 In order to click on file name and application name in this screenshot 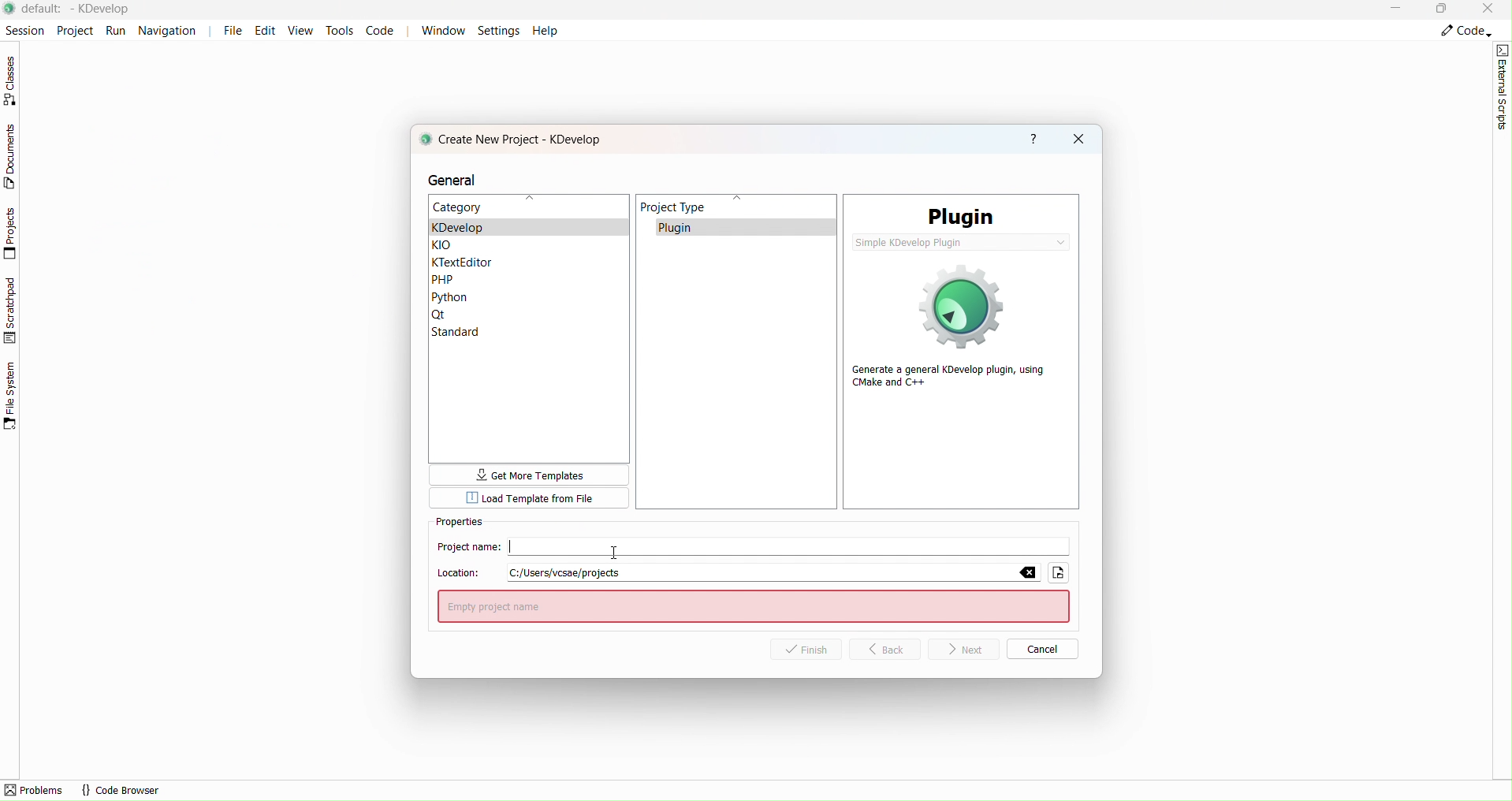, I will do `click(80, 9)`.